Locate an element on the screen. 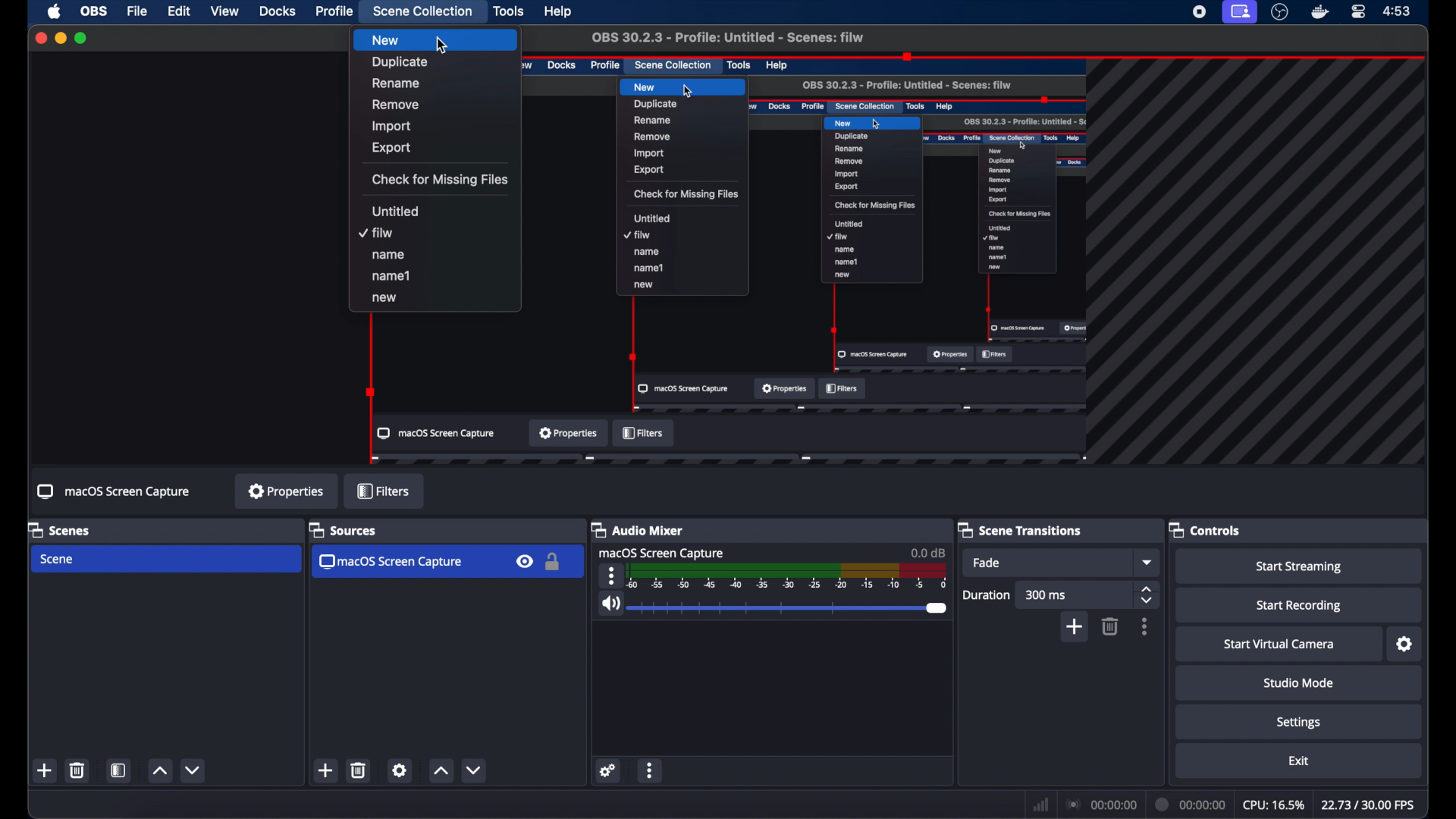  profile is located at coordinates (334, 12).